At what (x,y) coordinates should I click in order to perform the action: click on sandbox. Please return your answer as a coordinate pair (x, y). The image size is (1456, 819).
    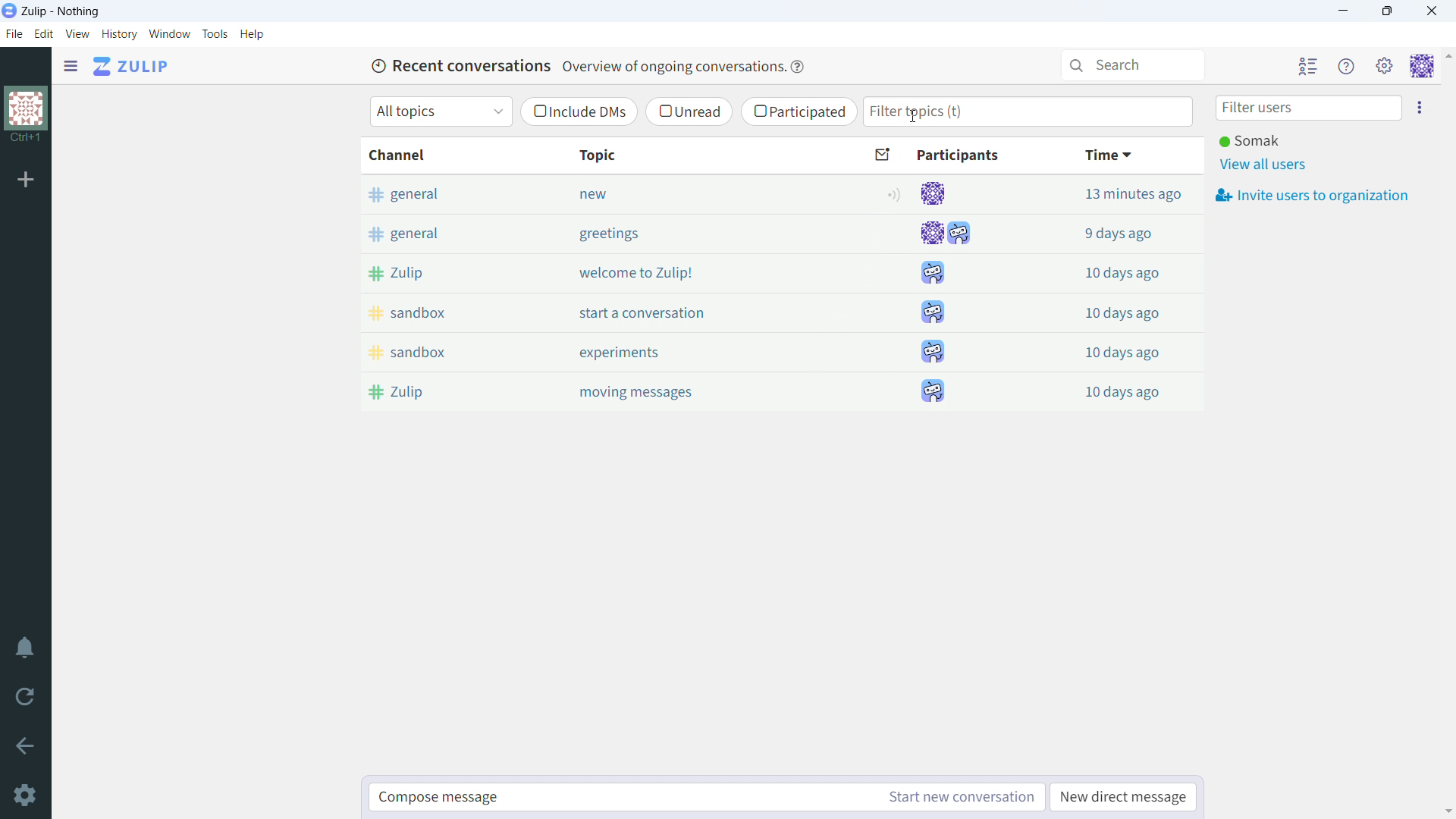
    Looking at the image, I should click on (441, 351).